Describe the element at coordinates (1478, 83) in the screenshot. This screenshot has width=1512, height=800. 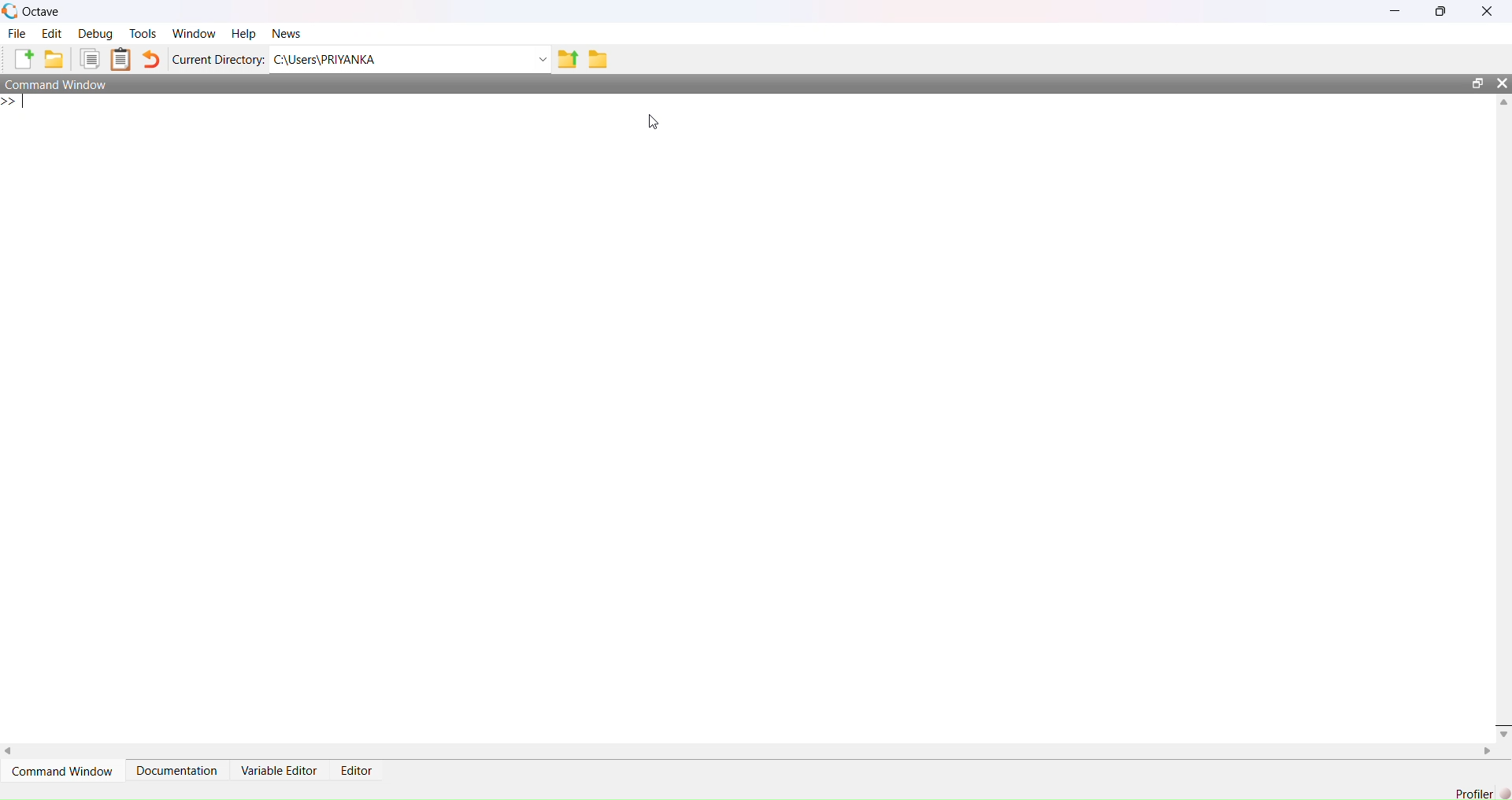
I see `maximize` at that location.